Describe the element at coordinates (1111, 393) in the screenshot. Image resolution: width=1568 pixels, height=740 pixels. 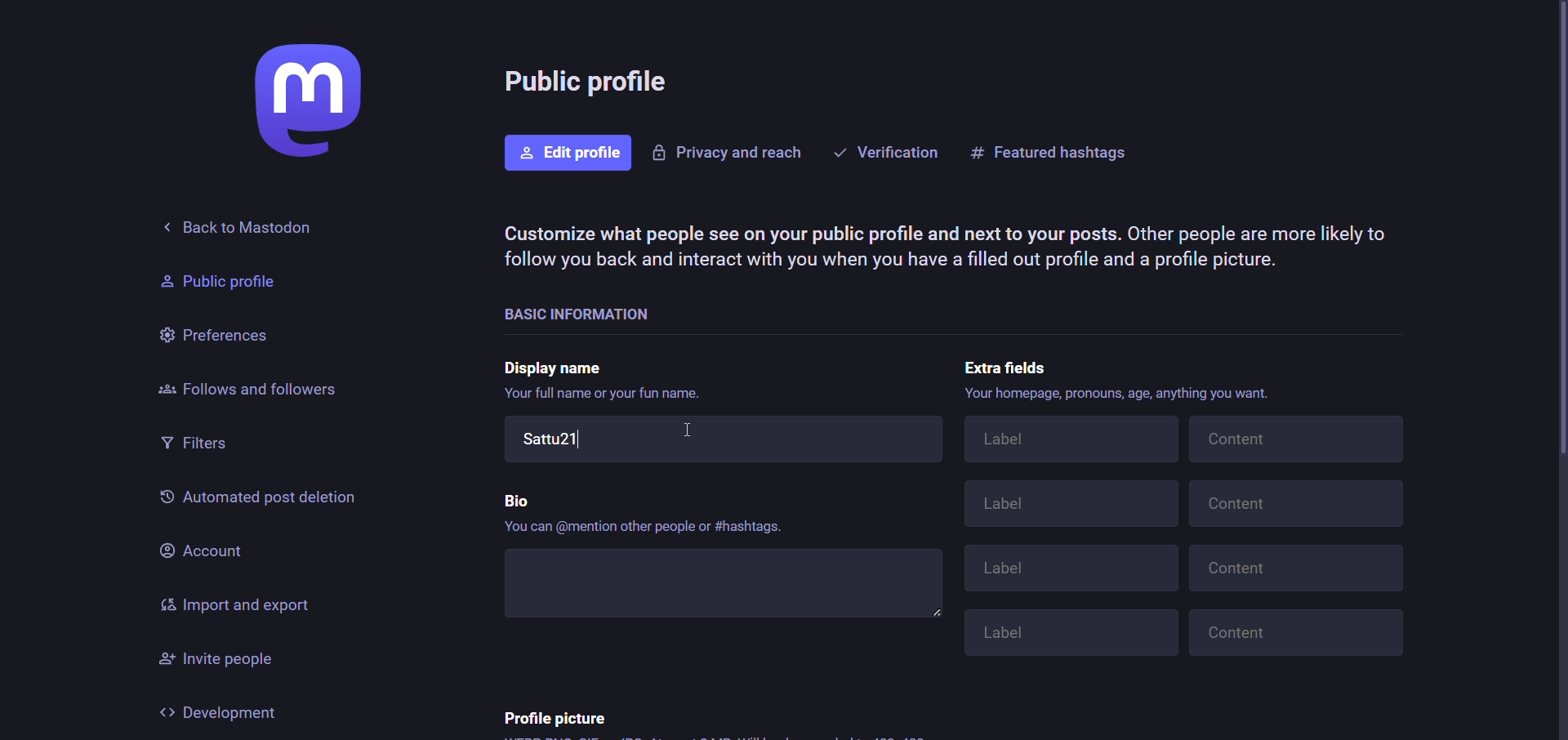
I see `Your homepage, pronouns, age, anything you want.` at that location.